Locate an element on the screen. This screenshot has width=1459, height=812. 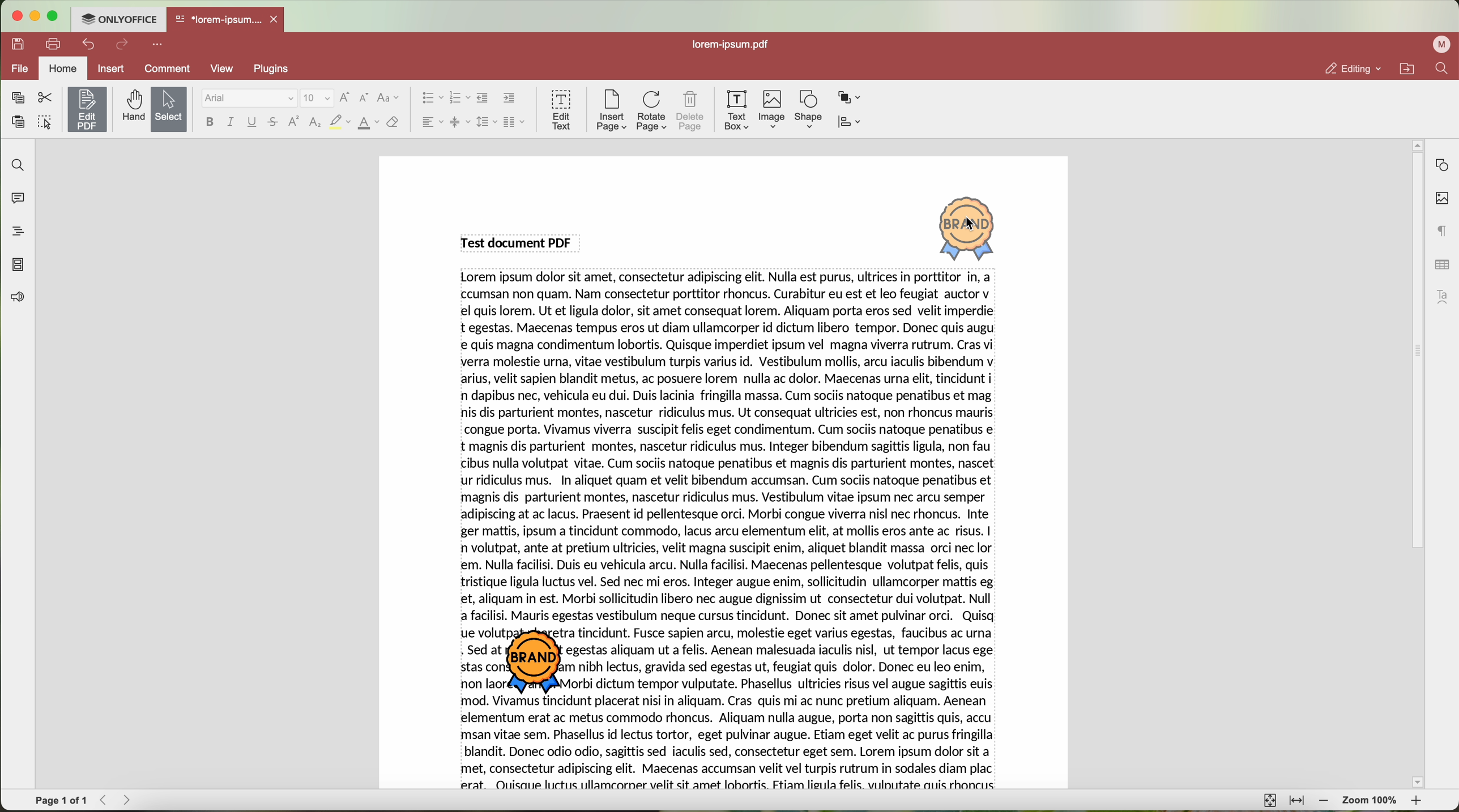
strikeout is located at coordinates (274, 123).